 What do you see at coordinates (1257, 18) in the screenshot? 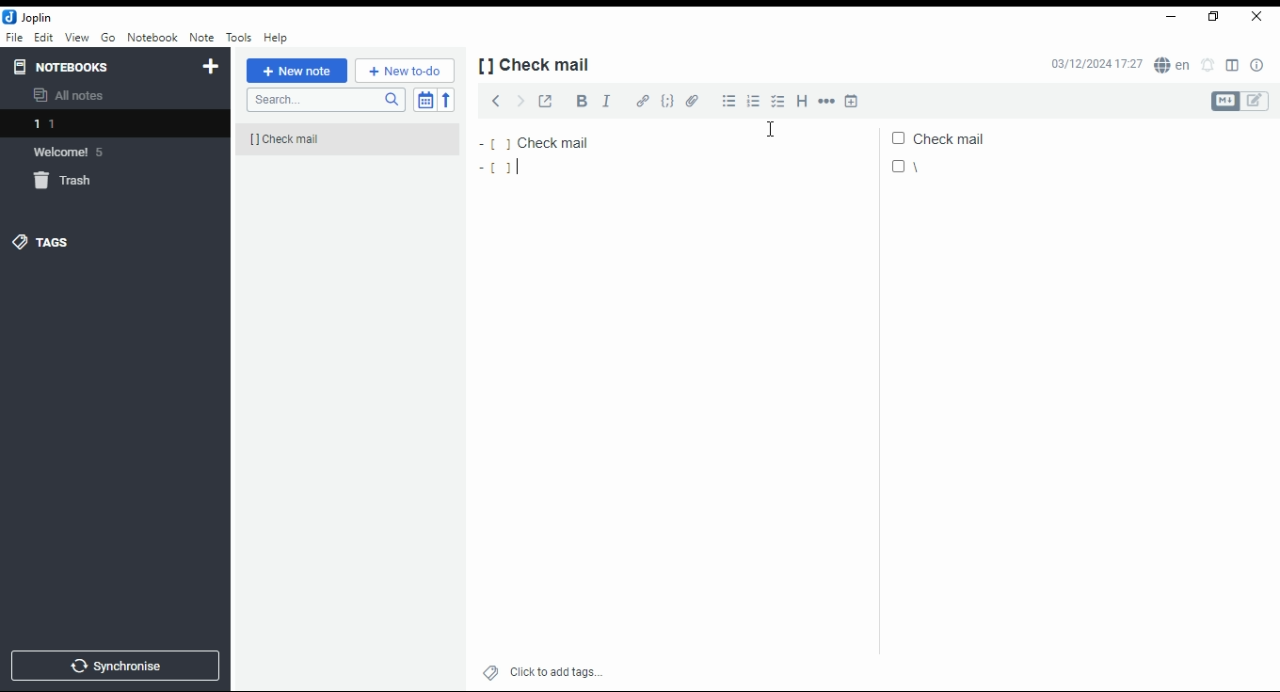
I see `close window` at bounding box center [1257, 18].